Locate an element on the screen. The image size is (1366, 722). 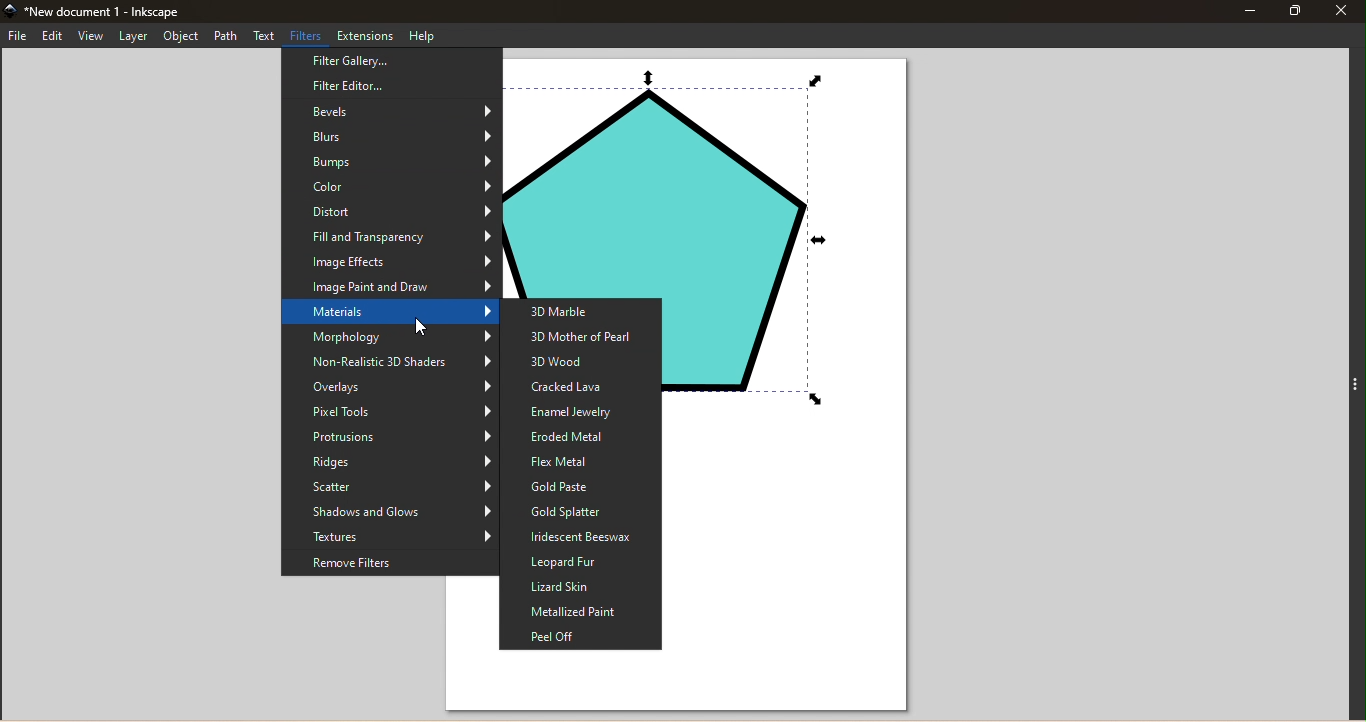
3D Wood is located at coordinates (582, 360).